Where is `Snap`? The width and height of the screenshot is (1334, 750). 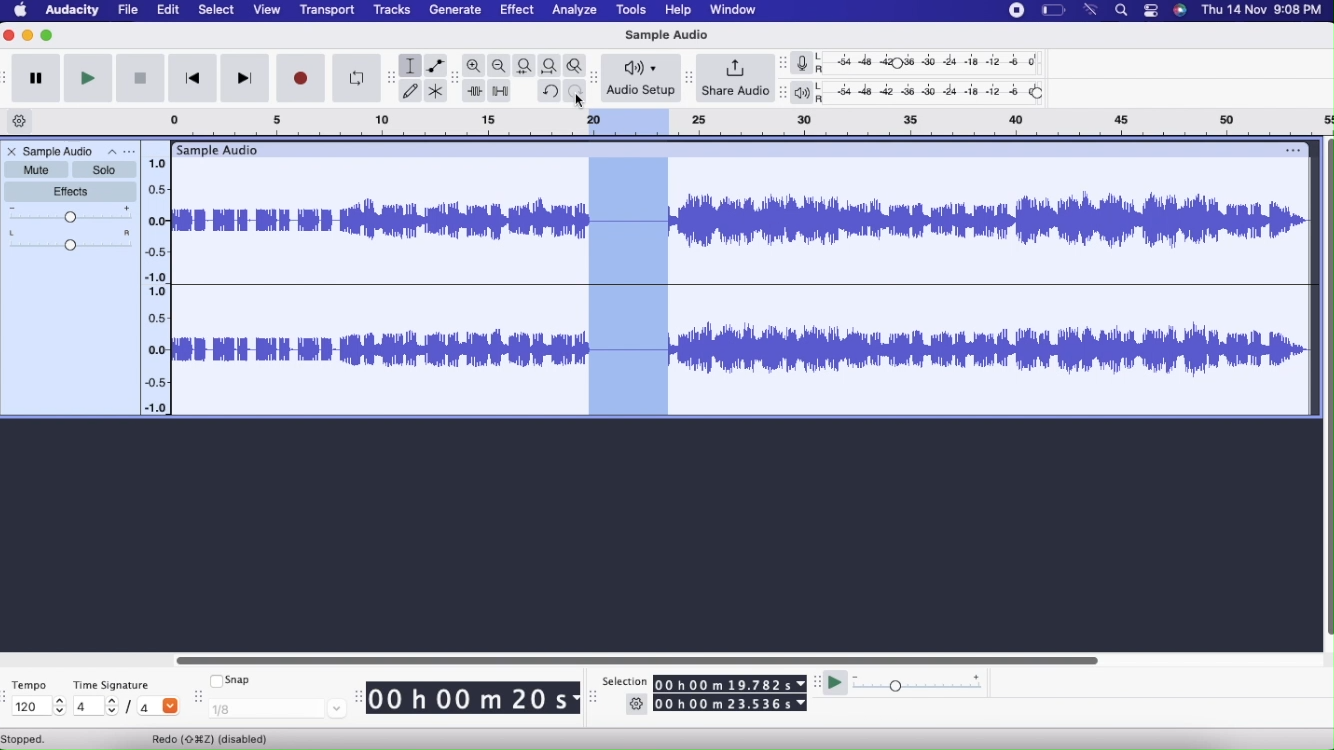 Snap is located at coordinates (233, 680).